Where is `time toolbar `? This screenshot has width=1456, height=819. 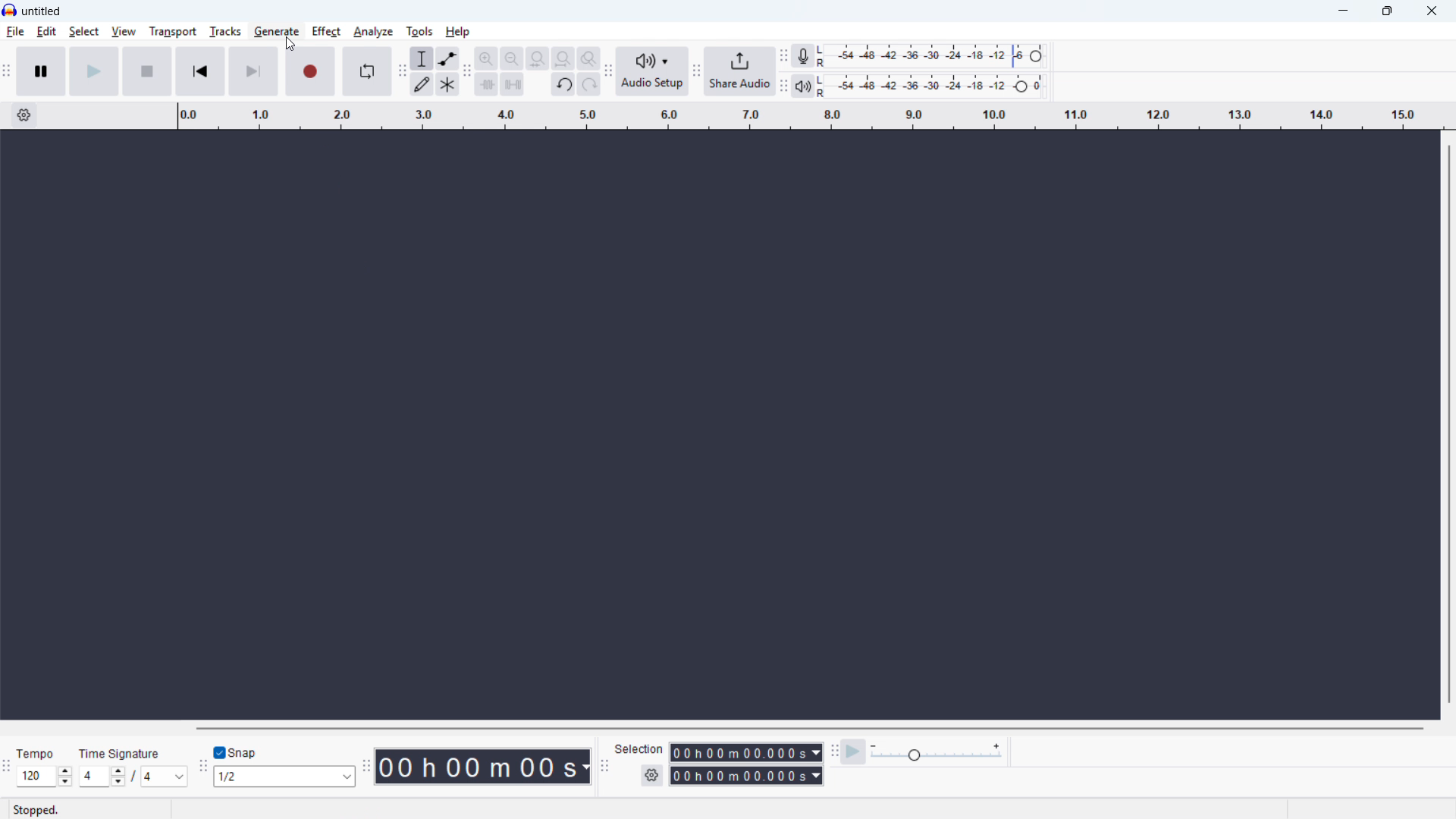
time toolbar  is located at coordinates (366, 767).